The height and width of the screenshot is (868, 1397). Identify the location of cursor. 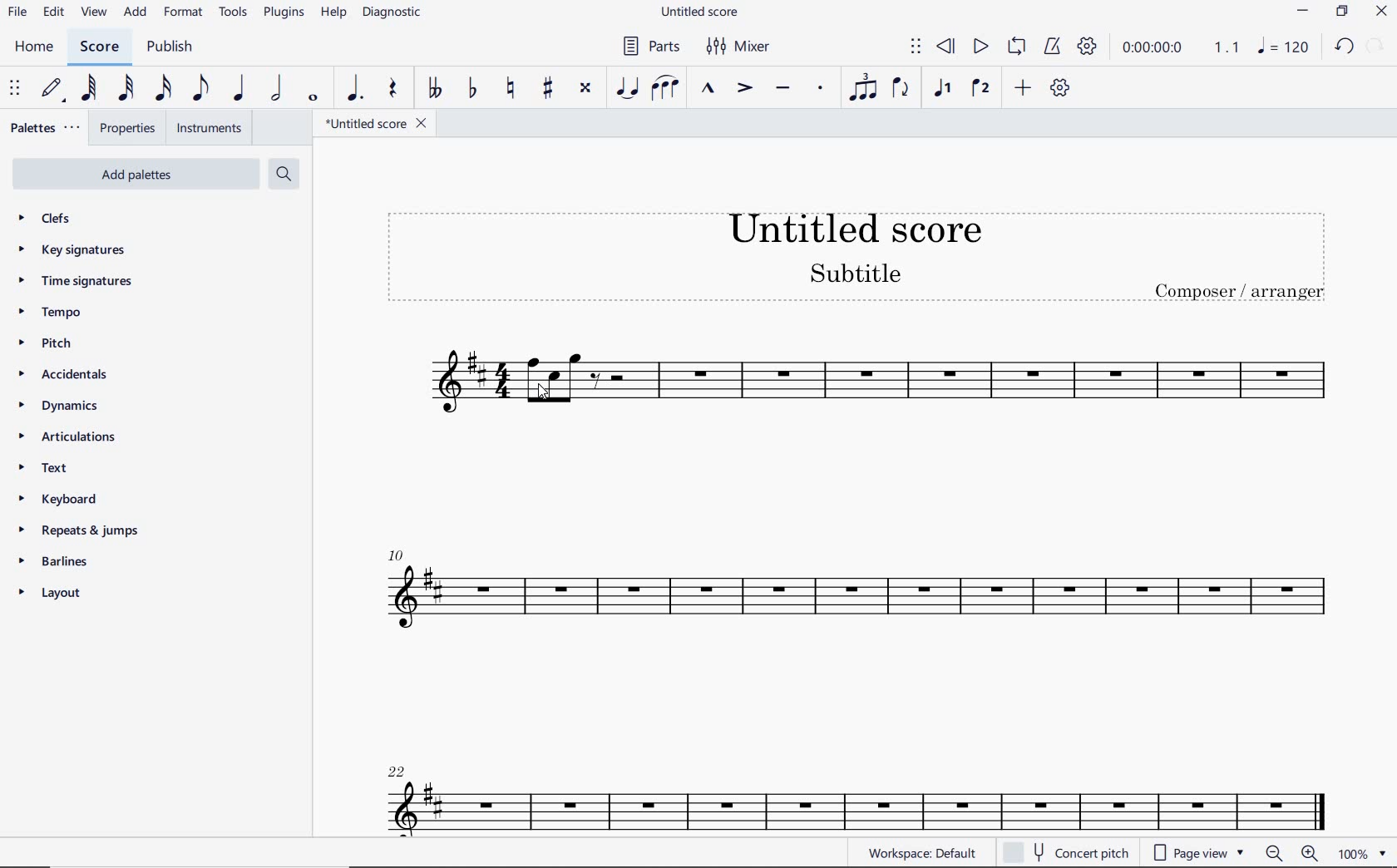
(543, 396).